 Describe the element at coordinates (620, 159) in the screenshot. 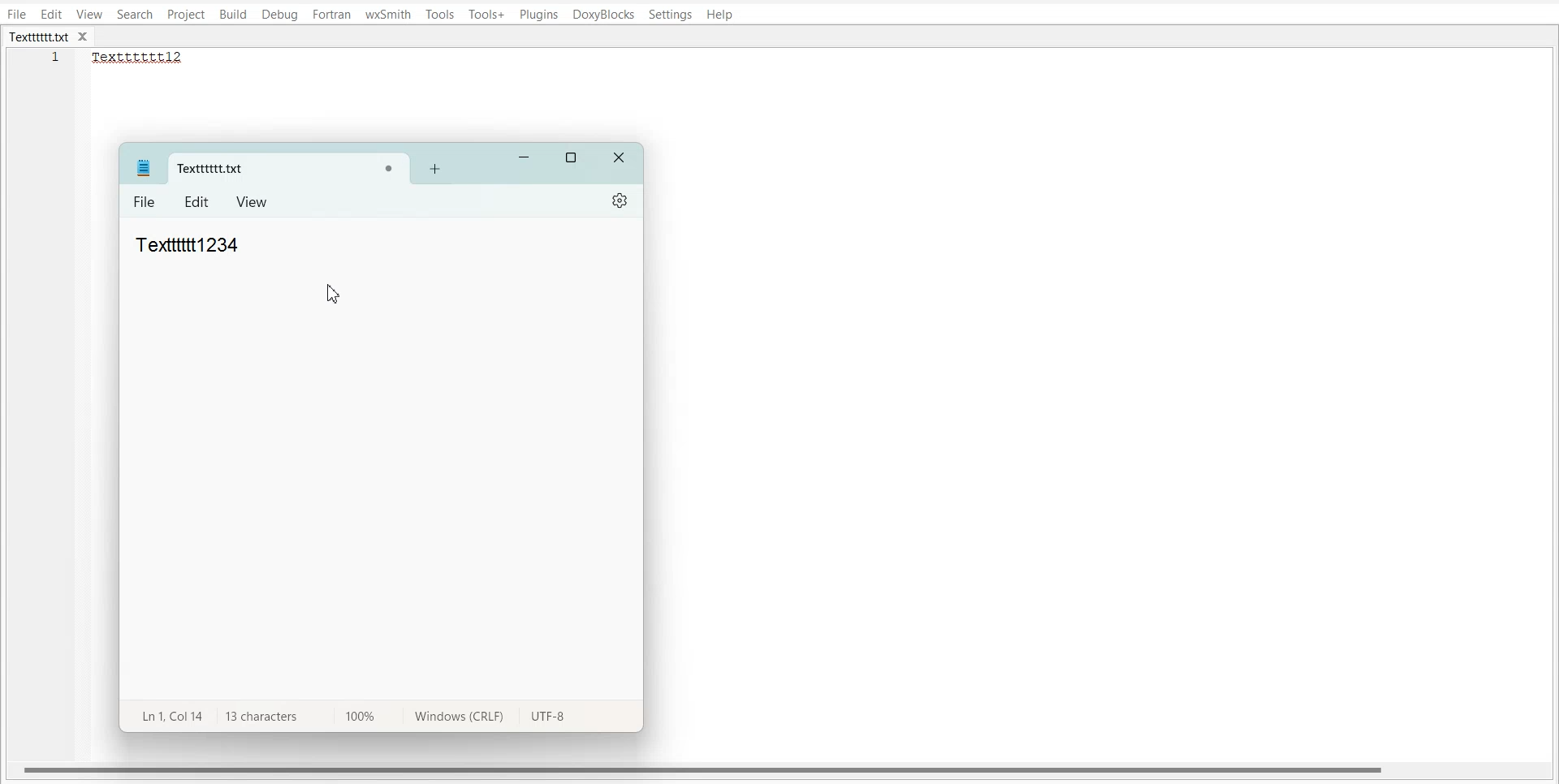

I see `Close` at that location.